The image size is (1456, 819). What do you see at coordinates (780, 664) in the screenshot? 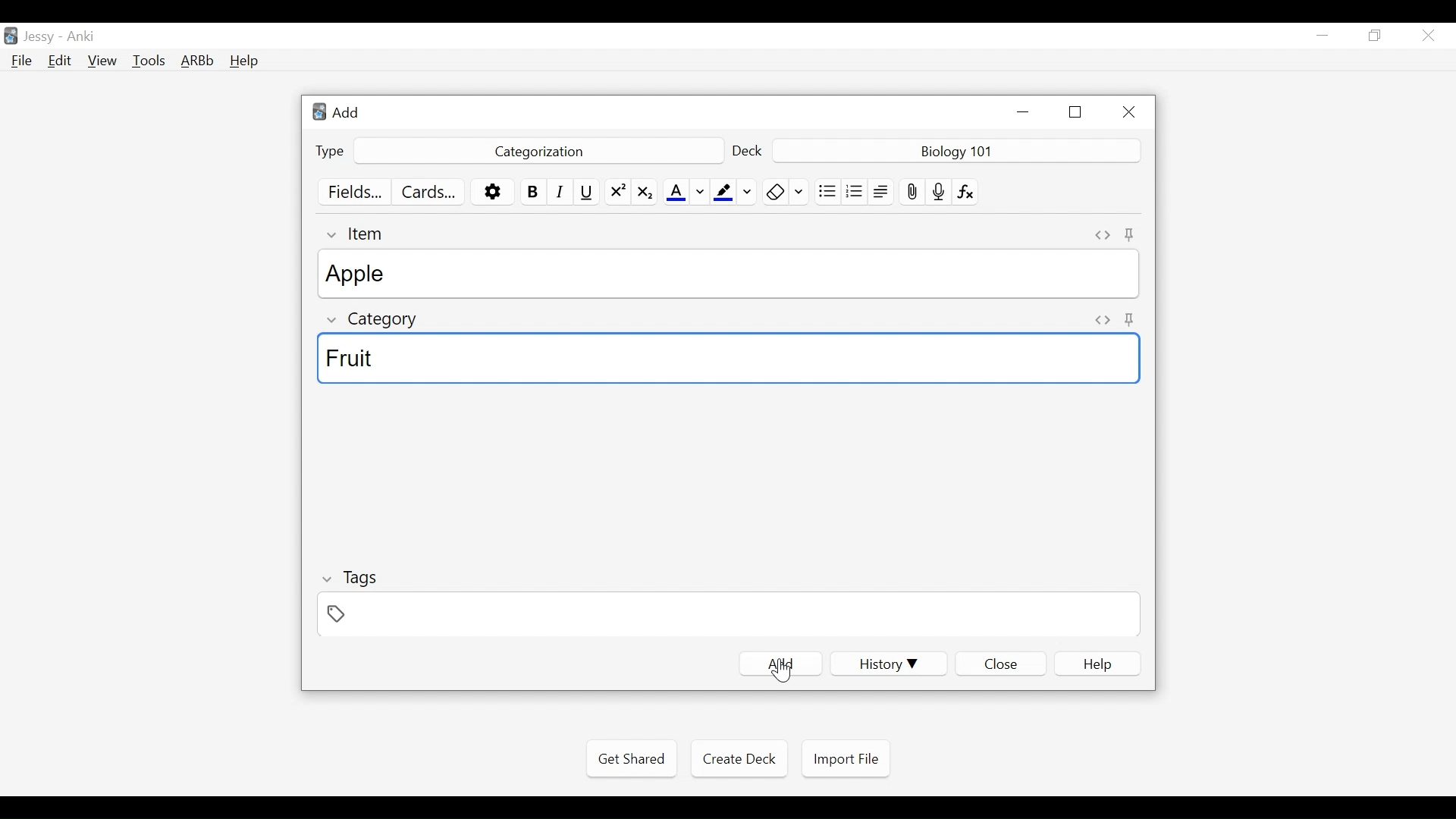
I see `Add` at bounding box center [780, 664].